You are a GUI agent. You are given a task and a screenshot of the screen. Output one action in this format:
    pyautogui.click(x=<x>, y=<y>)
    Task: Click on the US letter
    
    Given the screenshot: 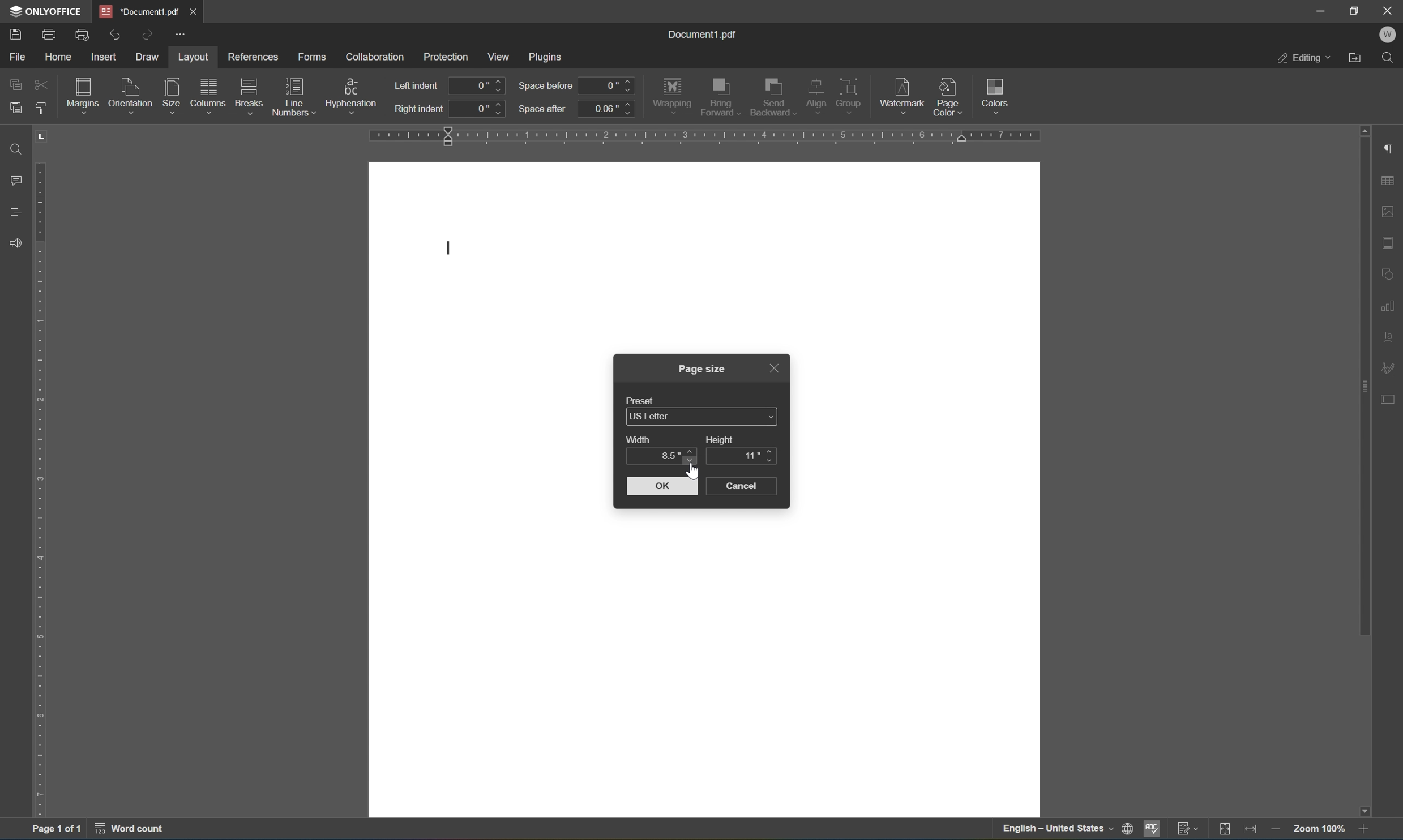 What is the action you would take?
    pyautogui.click(x=703, y=417)
    